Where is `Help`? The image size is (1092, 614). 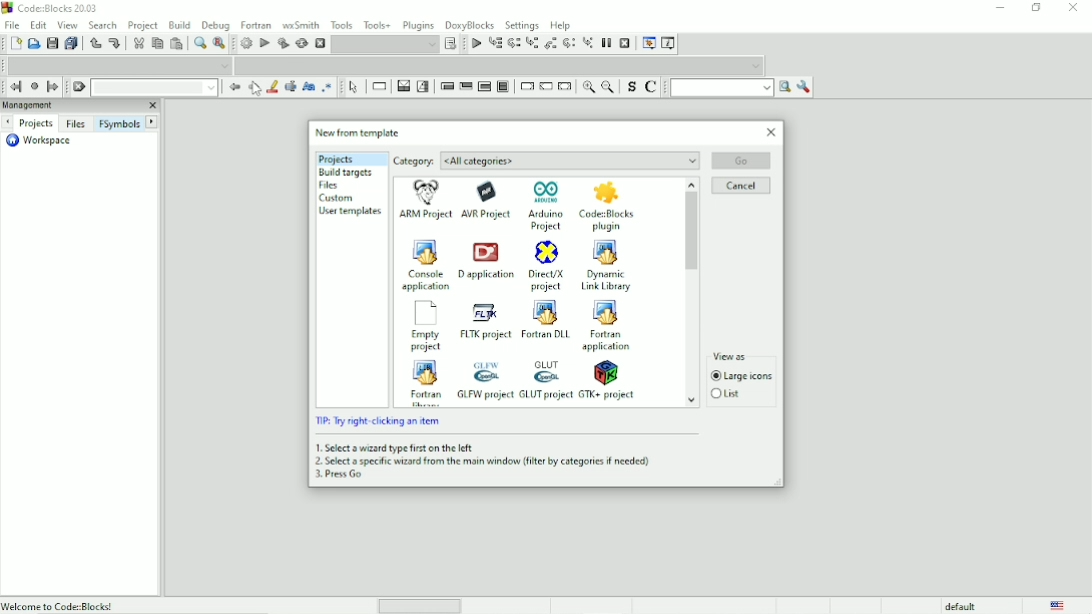 Help is located at coordinates (563, 24).